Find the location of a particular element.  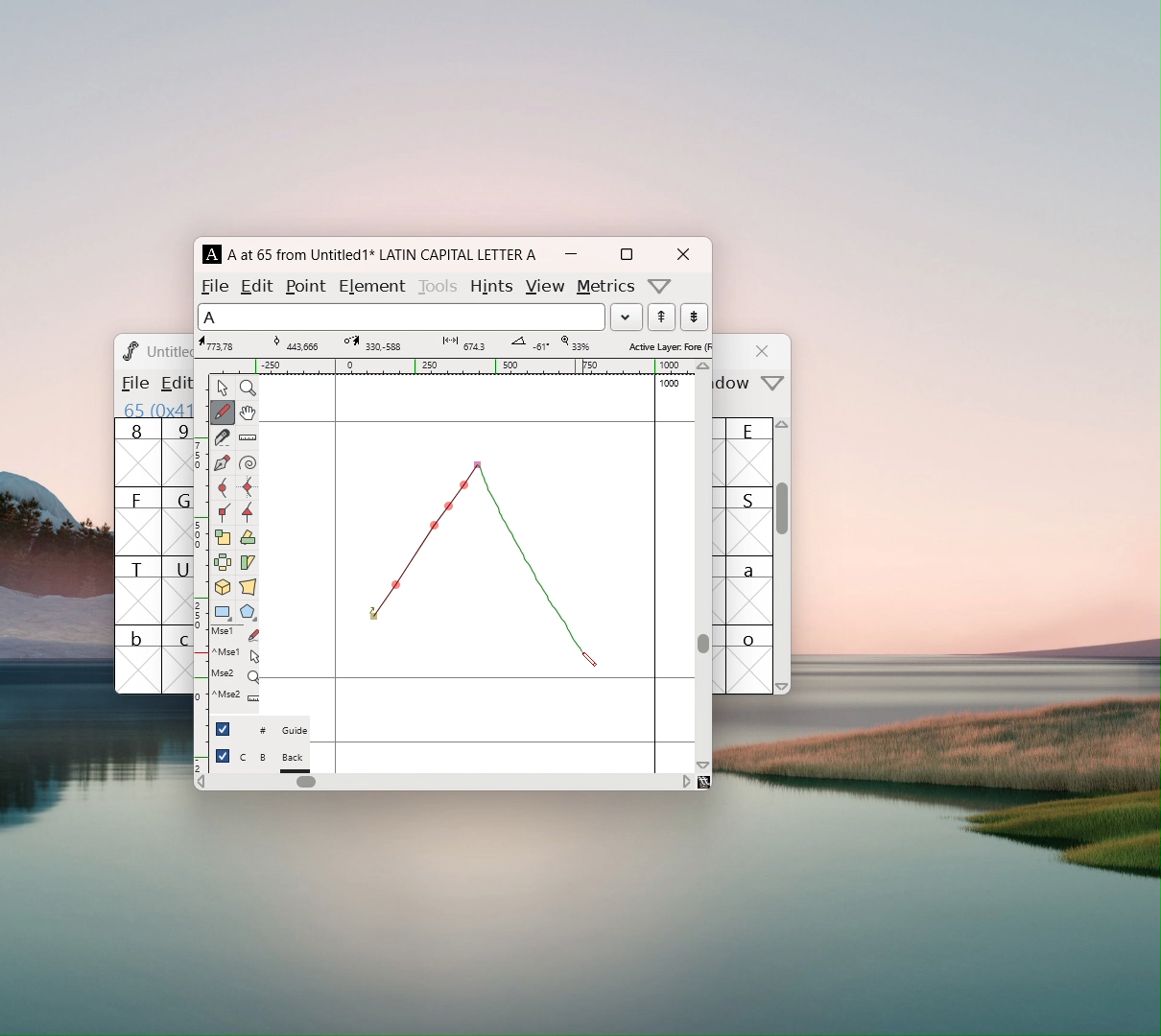

add a curve point always horizontal or vertical is located at coordinates (248, 487).